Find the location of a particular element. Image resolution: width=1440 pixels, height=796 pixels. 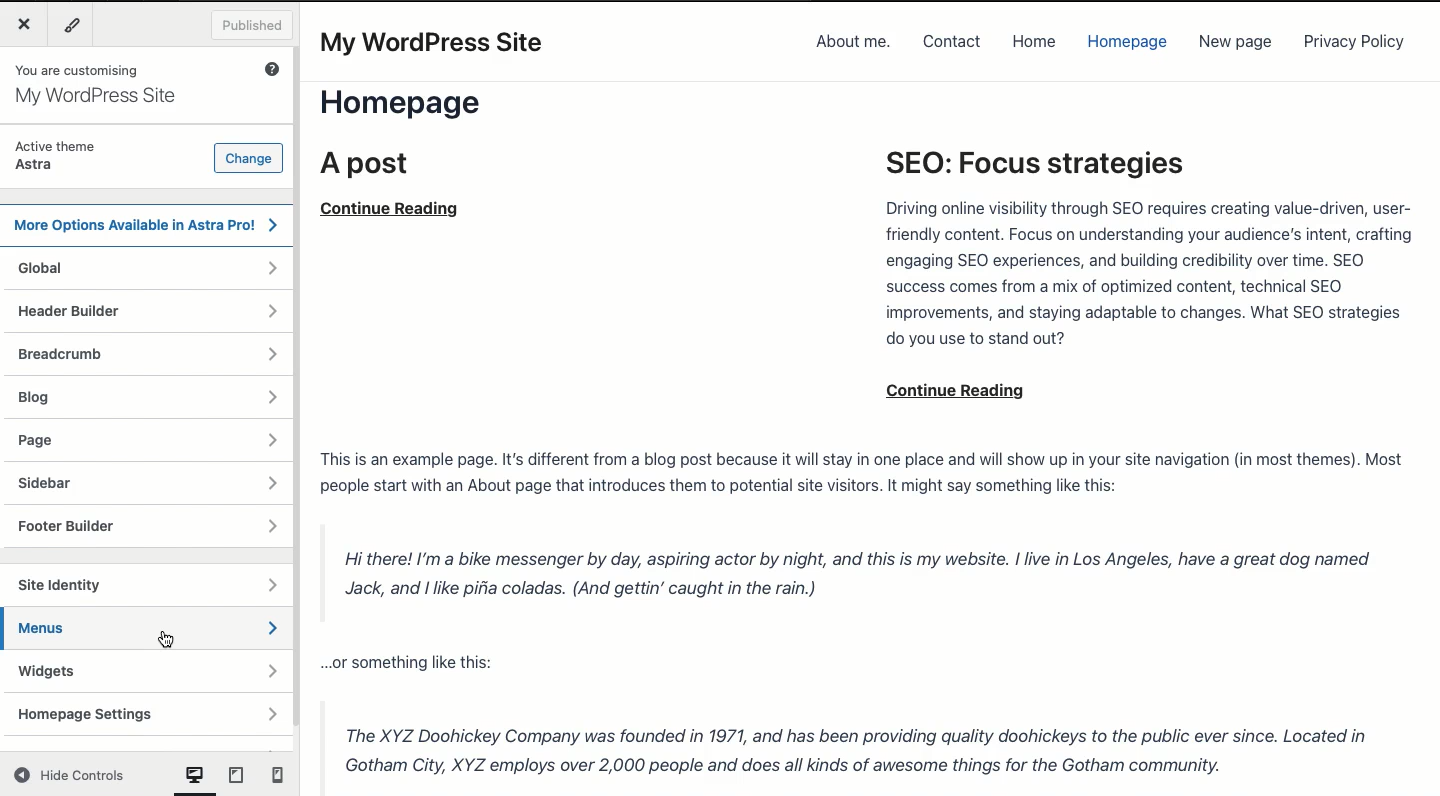

Change is located at coordinates (250, 158).